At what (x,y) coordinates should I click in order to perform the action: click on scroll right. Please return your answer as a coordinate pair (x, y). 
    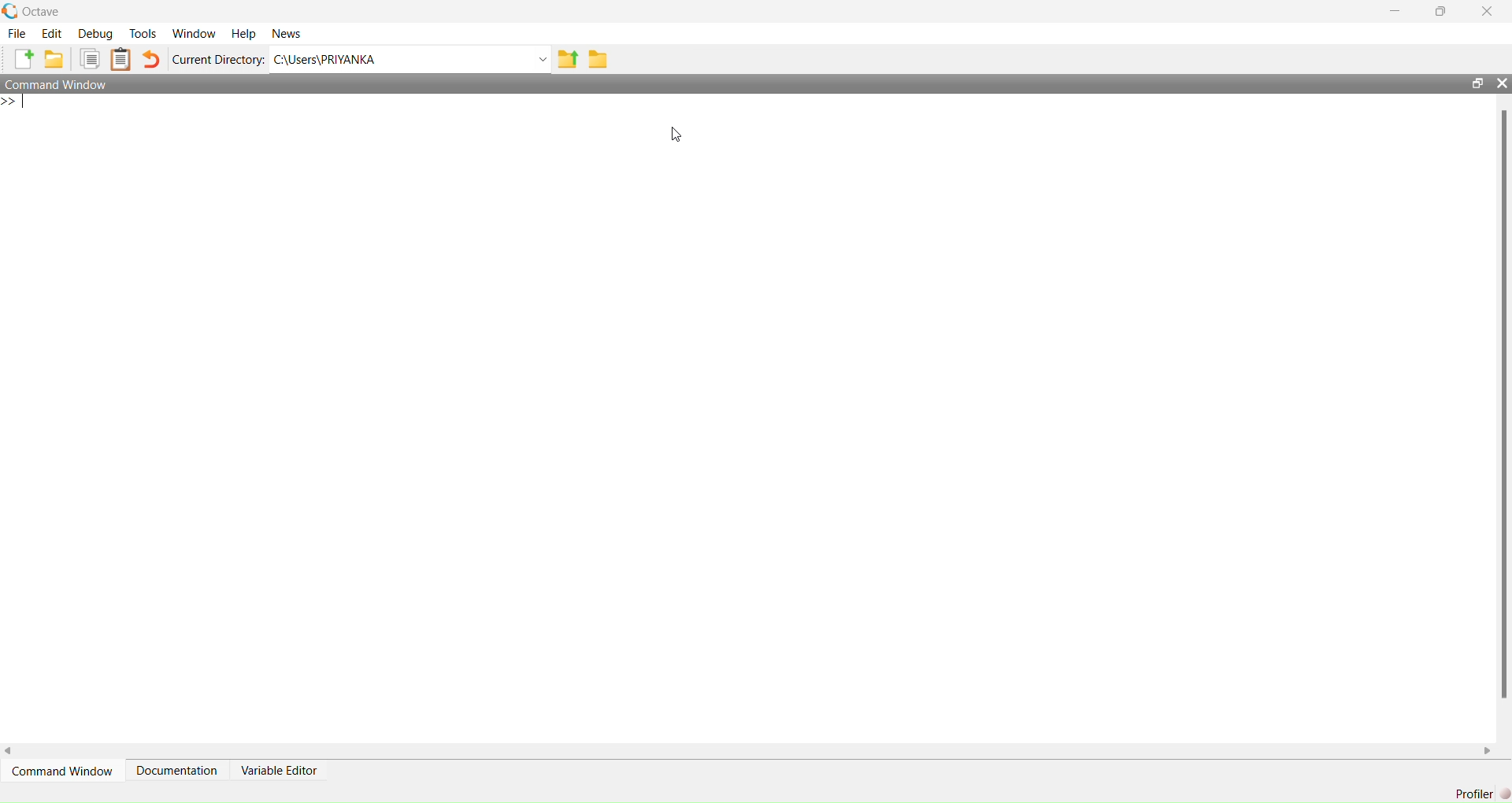
    Looking at the image, I should click on (1488, 750).